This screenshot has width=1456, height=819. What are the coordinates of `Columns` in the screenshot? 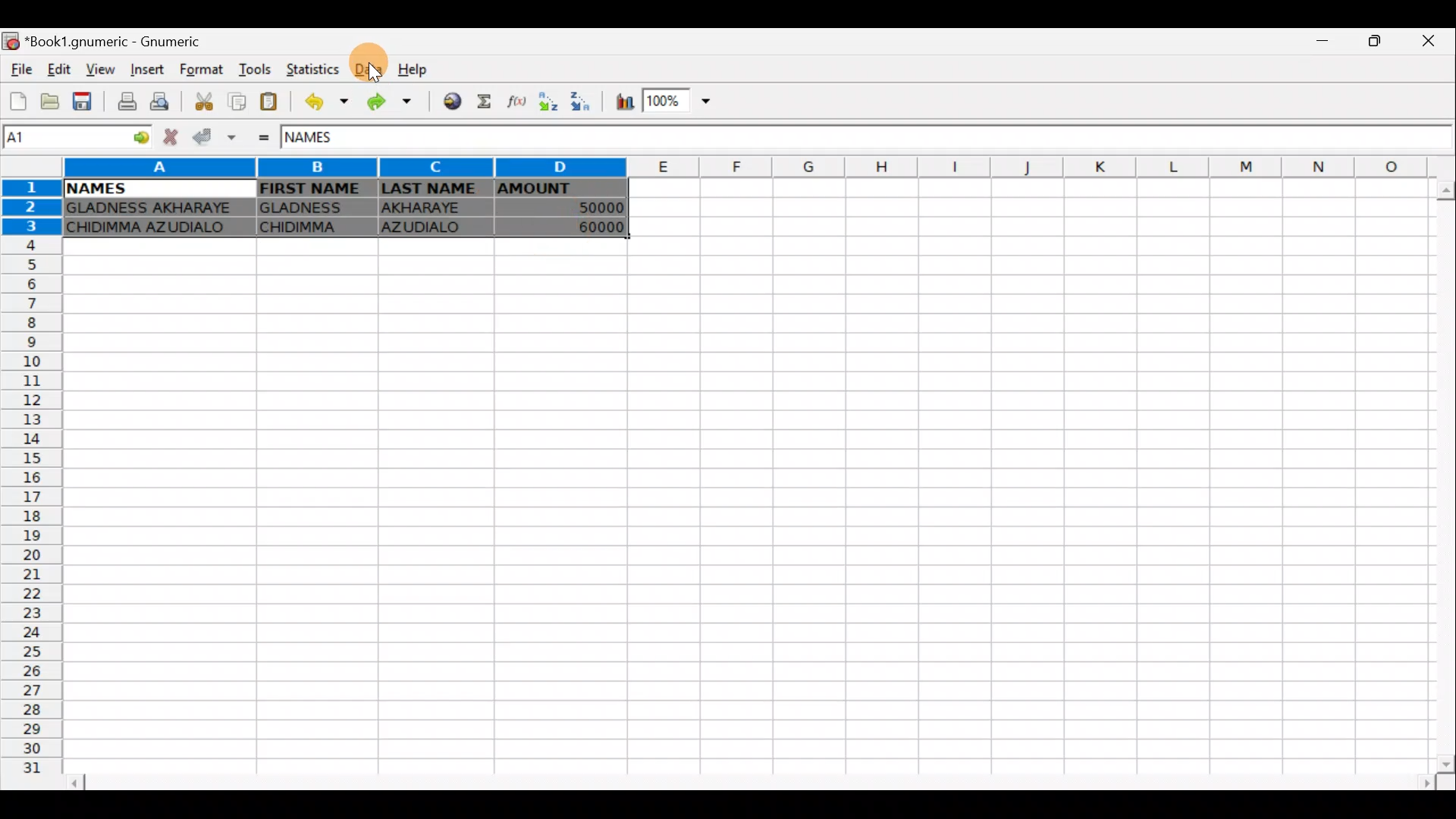 It's located at (758, 168).